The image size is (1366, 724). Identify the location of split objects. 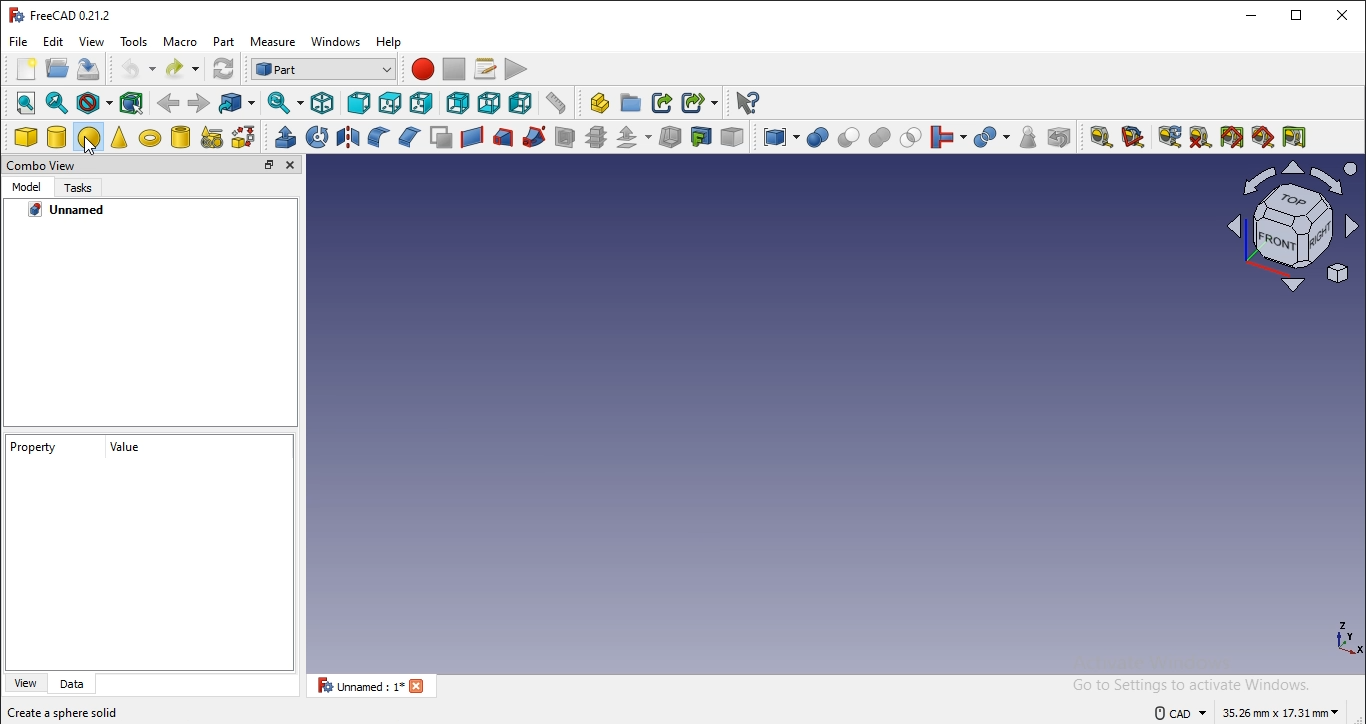
(990, 137).